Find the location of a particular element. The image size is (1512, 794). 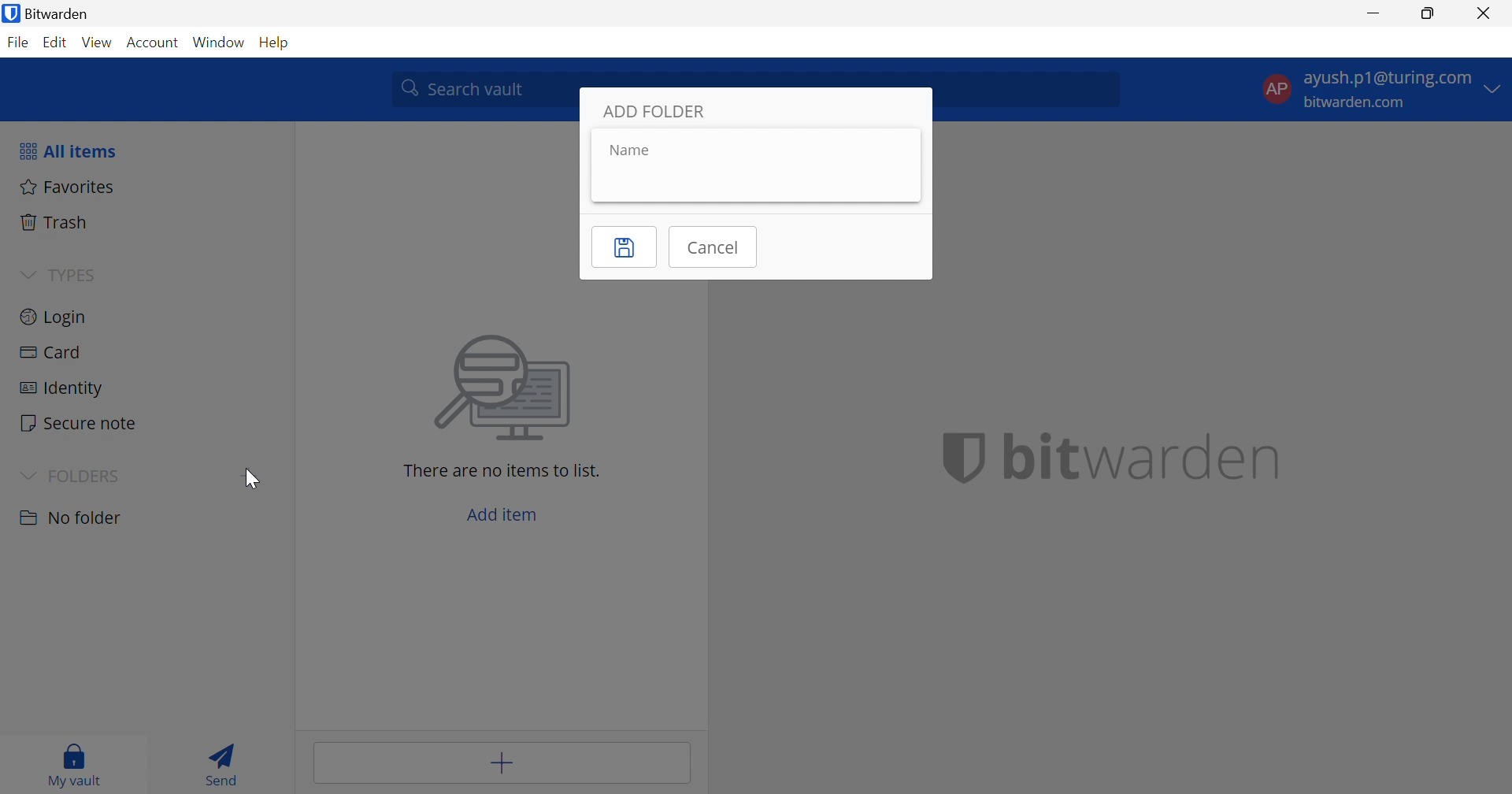

Card is located at coordinates (50, 353).